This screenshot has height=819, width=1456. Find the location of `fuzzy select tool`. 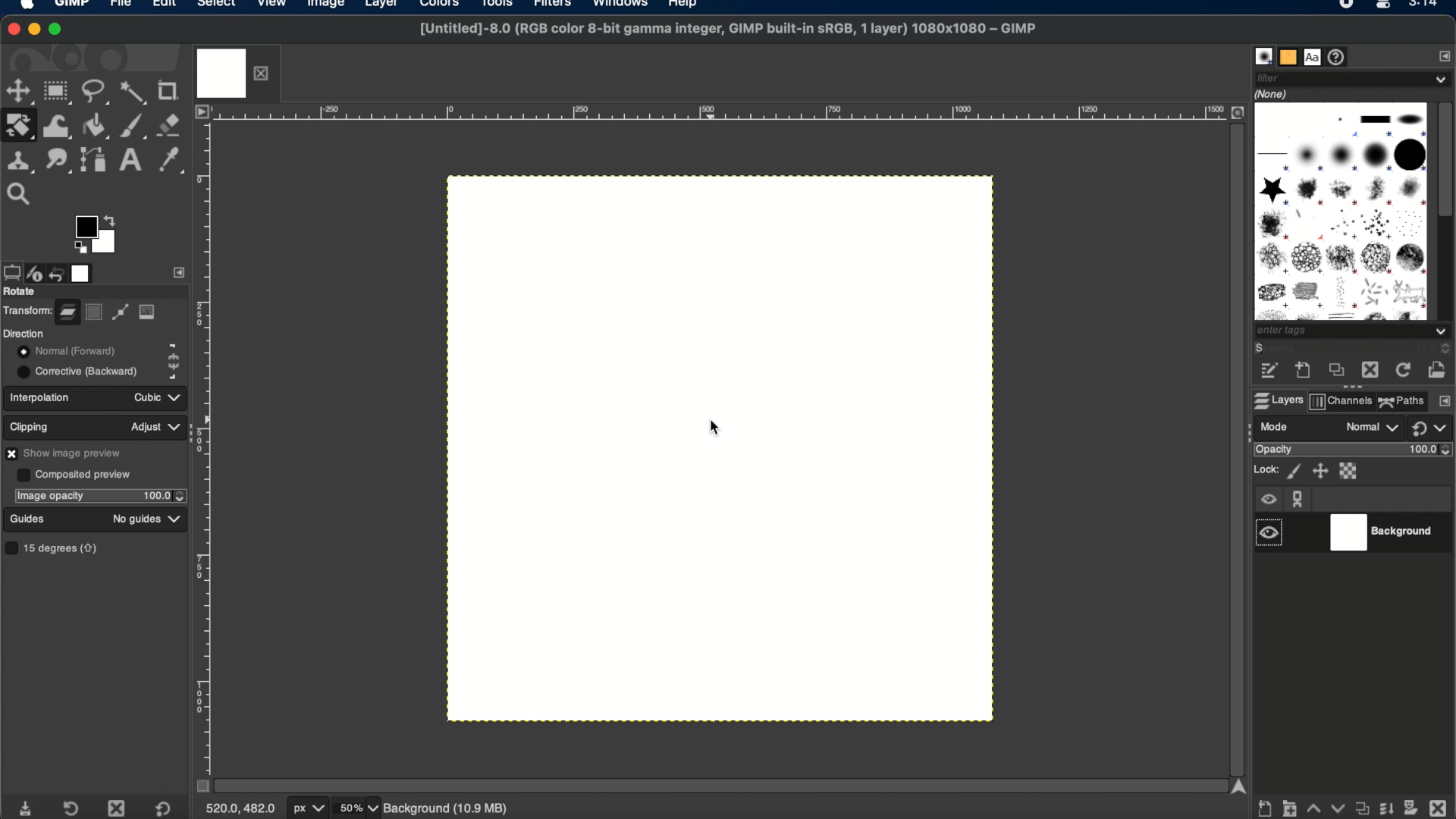

fuzzy select tool is located at coordinates (134, 93).